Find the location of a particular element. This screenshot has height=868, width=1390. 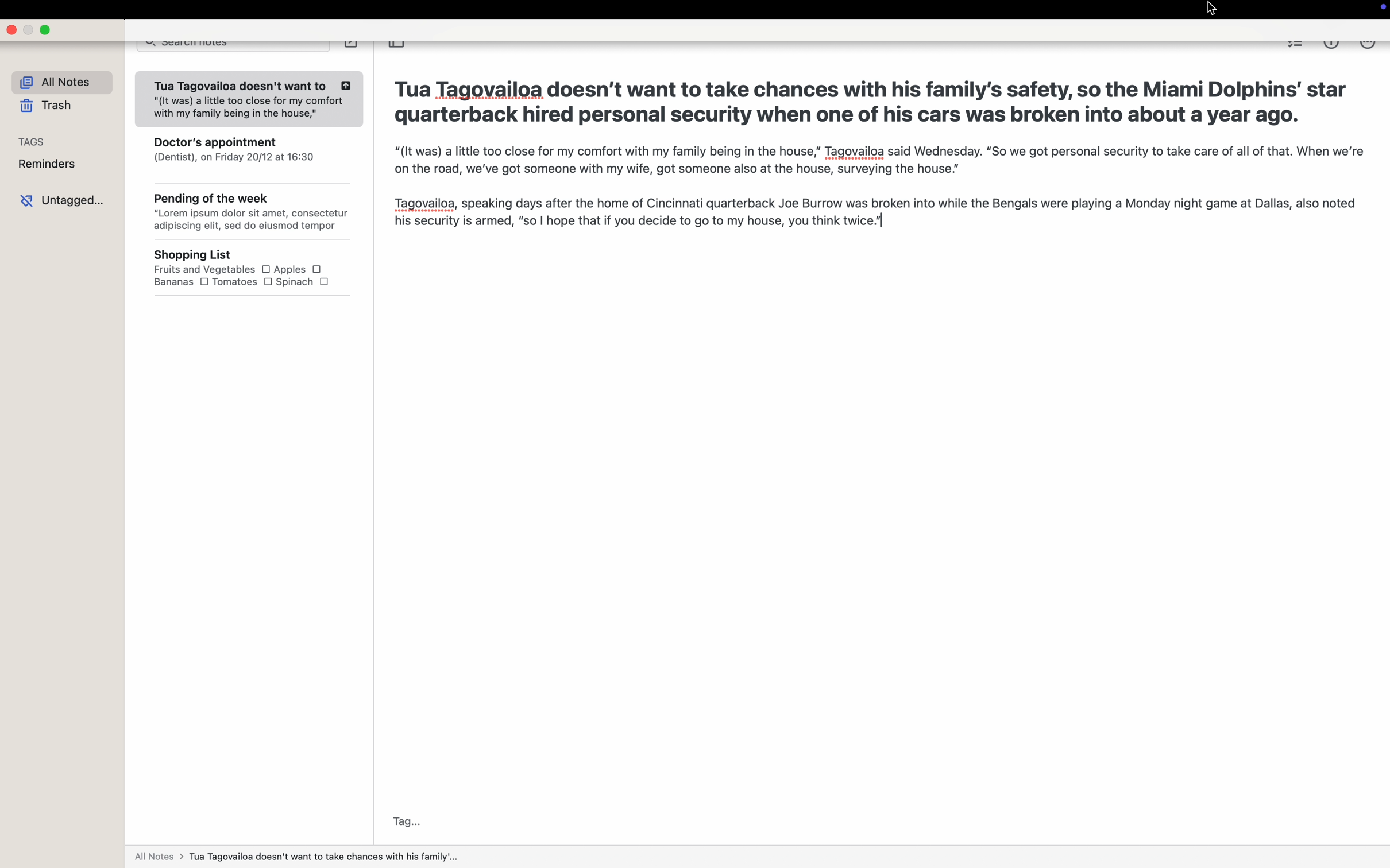

maximize app is located at coordinates (46, 30).